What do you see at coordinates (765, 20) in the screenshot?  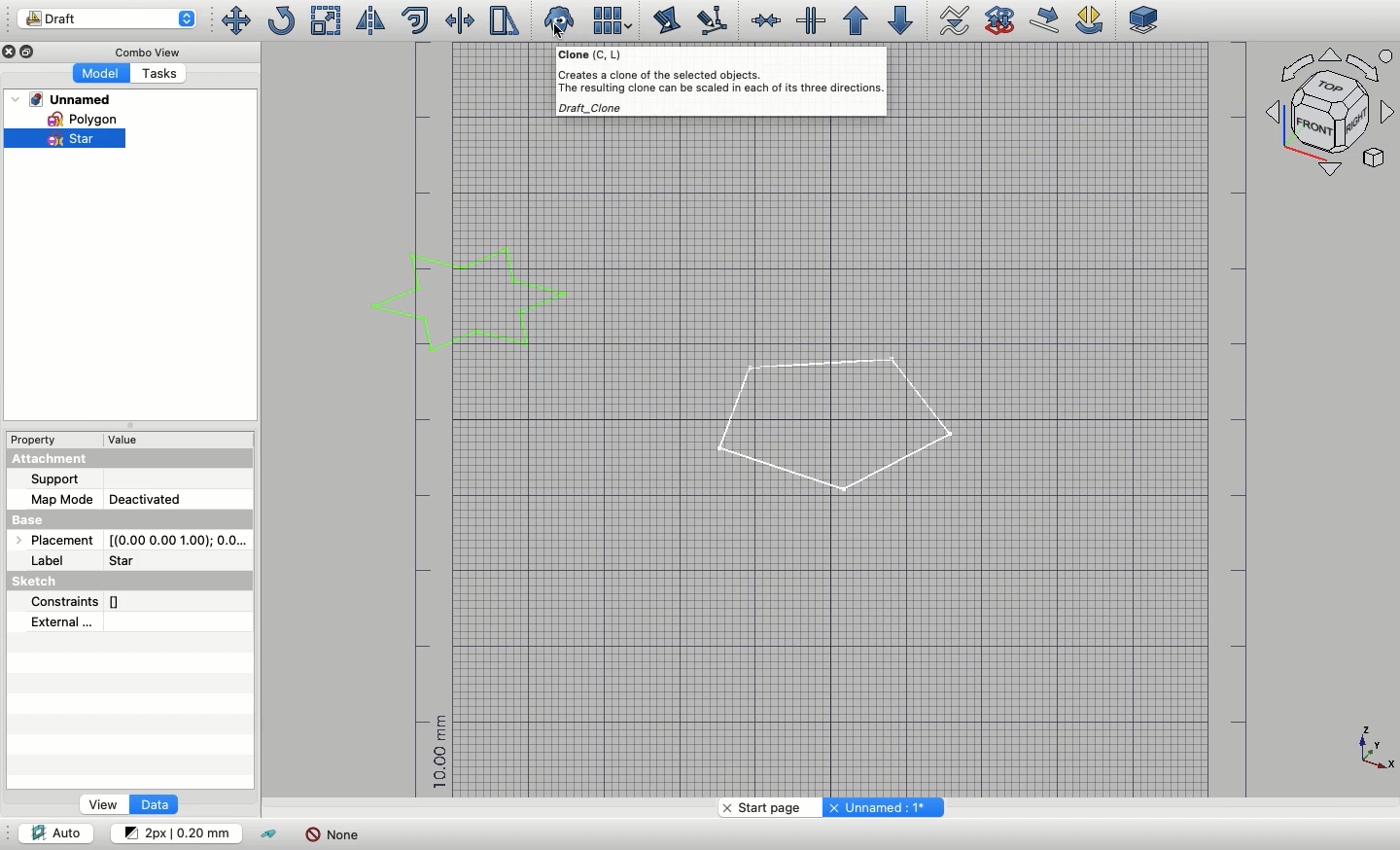 I see `Join` at bounding box center [765, 20].